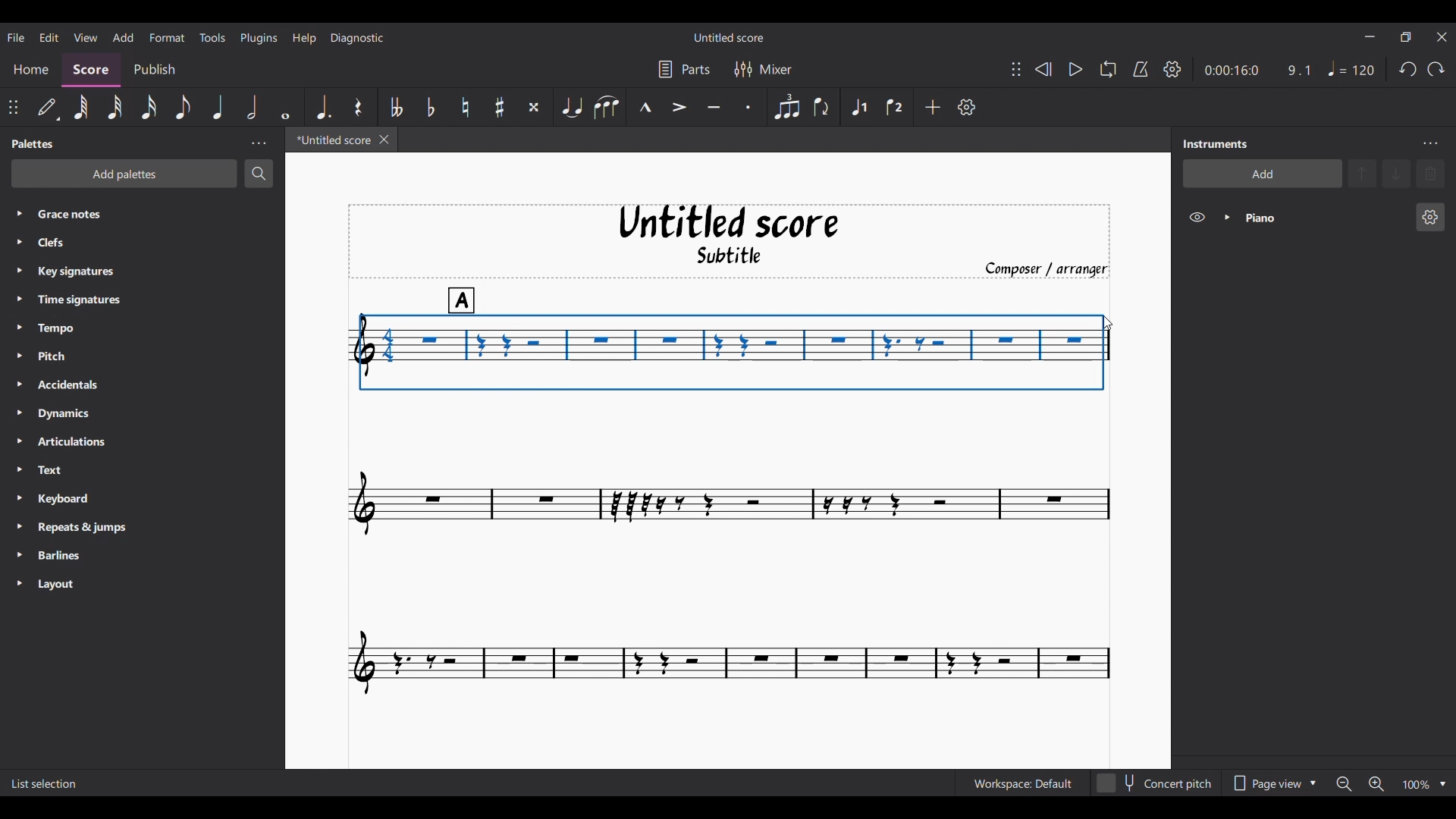 This screenshot has width=1456, height=819. I want to click on Toggle double sharp, so click(534, 107).